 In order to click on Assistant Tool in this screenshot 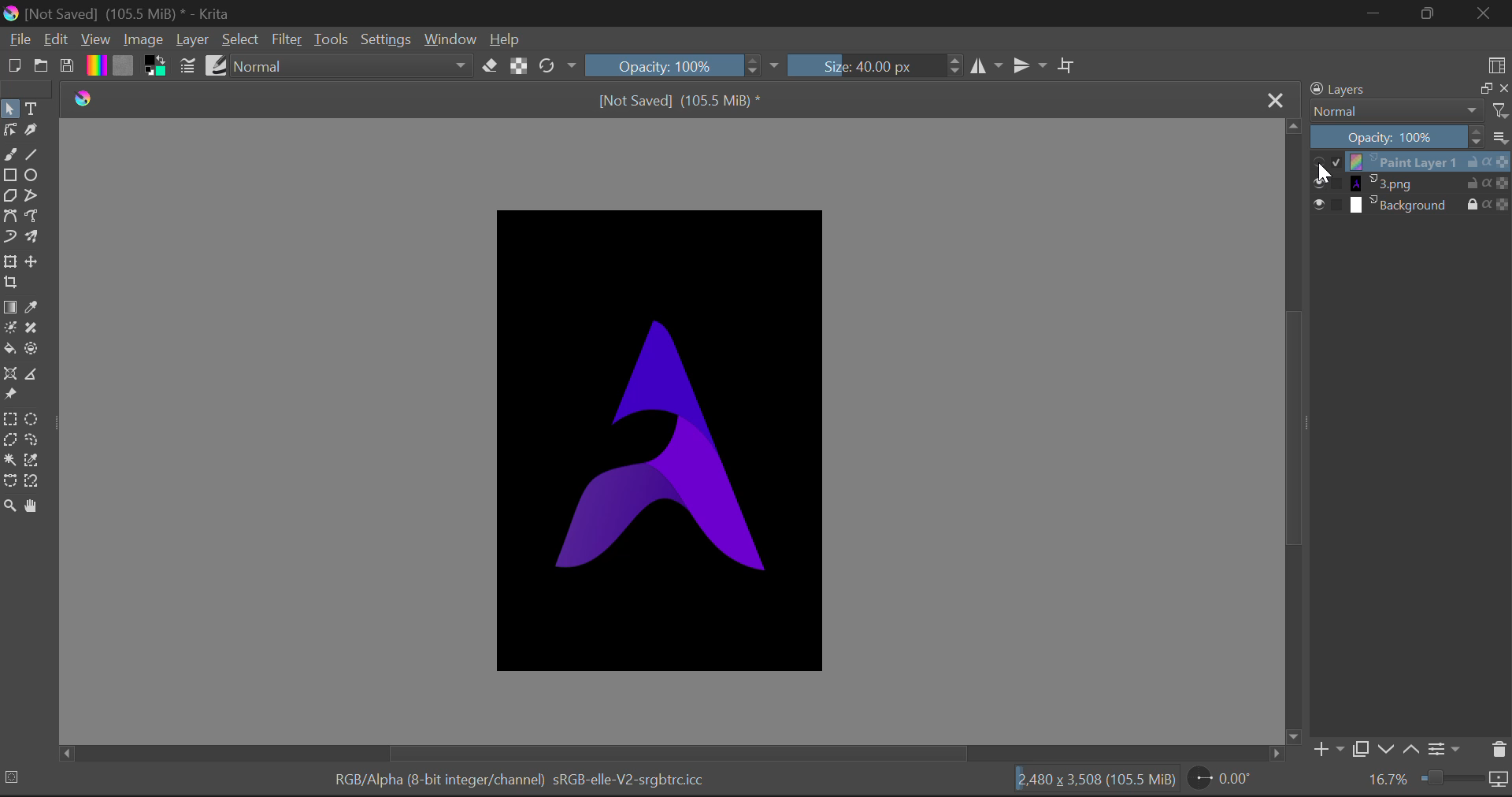, I will do `click(13, 374)`.